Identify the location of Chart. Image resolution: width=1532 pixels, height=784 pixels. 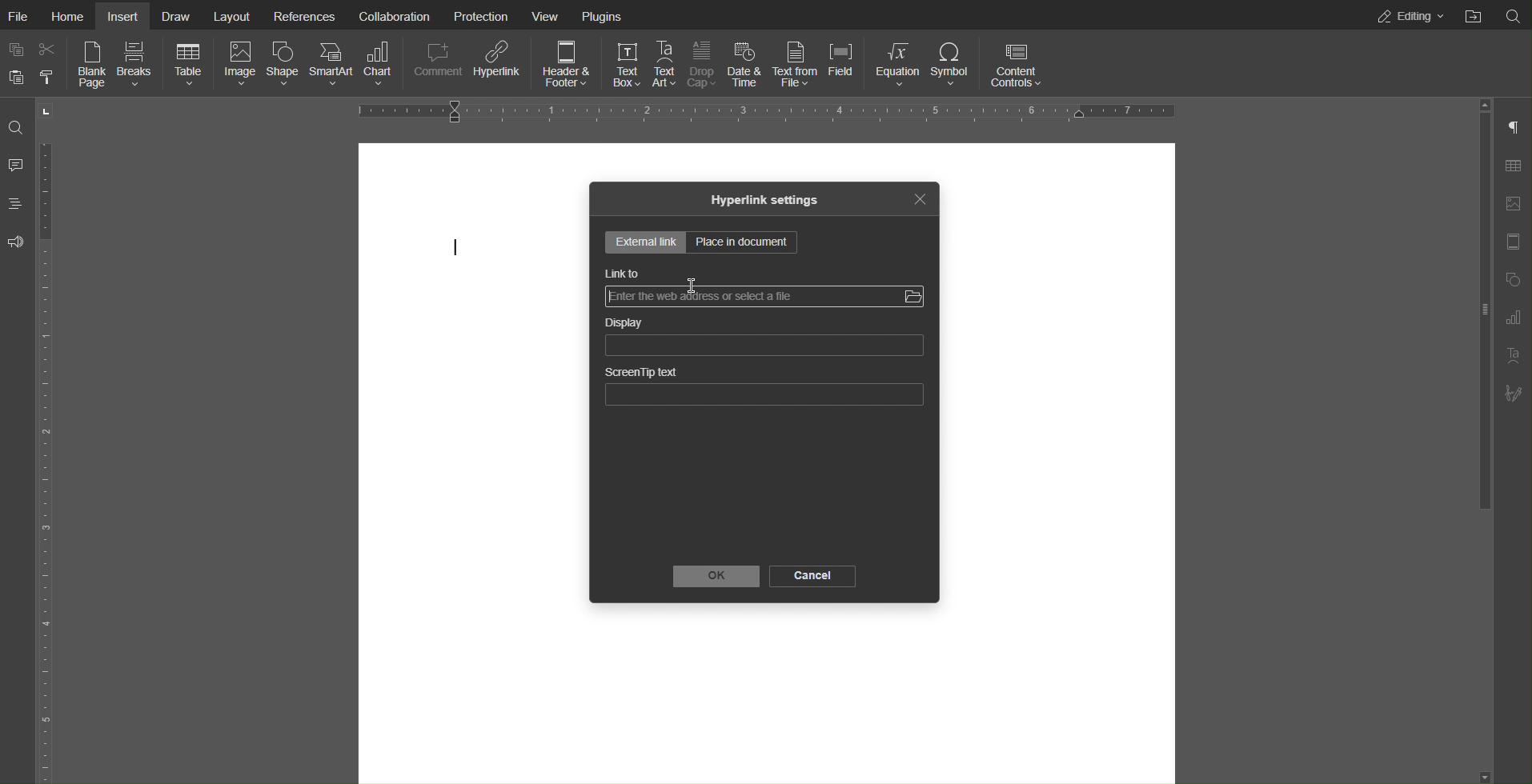
(379, 65).